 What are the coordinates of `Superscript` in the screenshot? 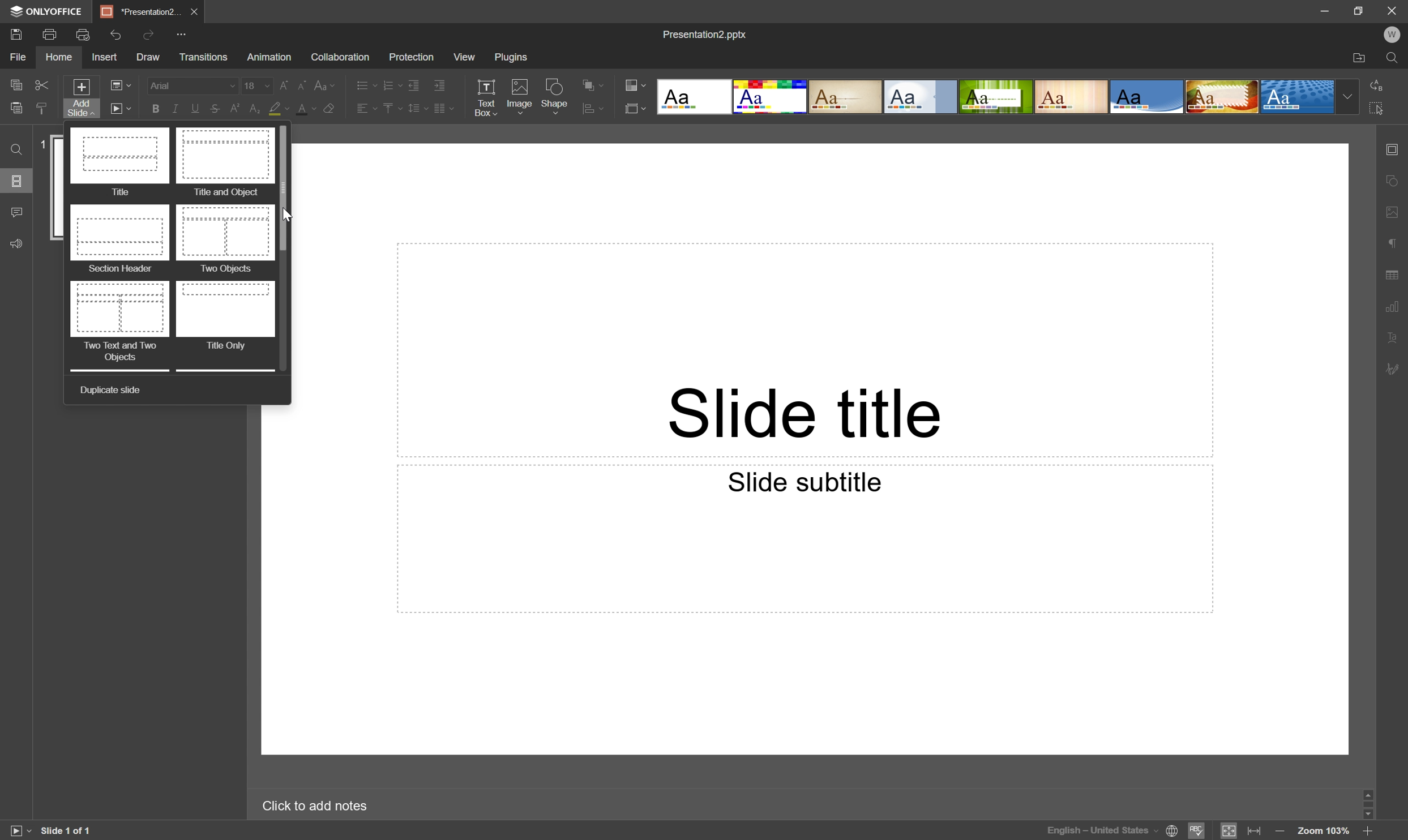 It's located at (234, 109).